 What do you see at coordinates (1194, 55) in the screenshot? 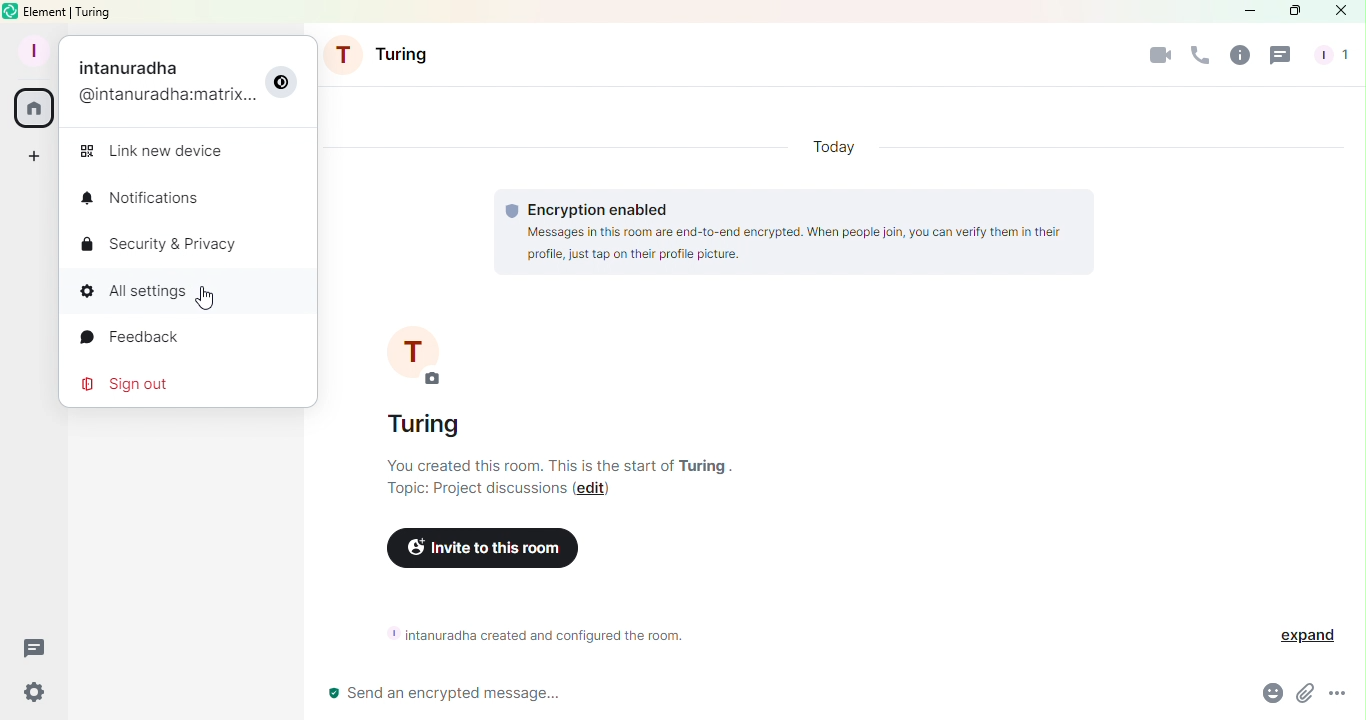
I see `Call` at bounding box center [1194, 55].